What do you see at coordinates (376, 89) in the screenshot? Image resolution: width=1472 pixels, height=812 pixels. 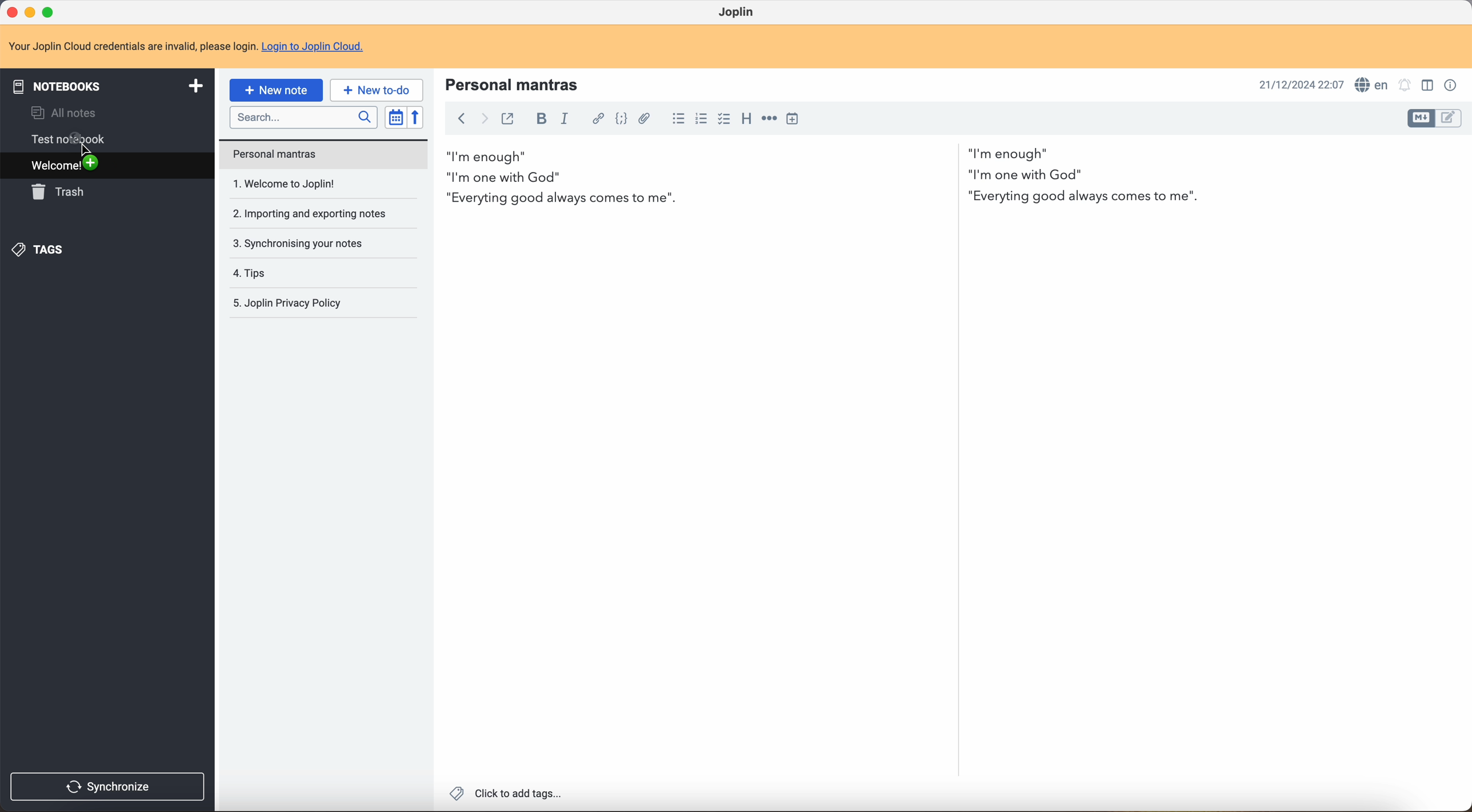 I see `new to-do` at bounding box center [376, 89].